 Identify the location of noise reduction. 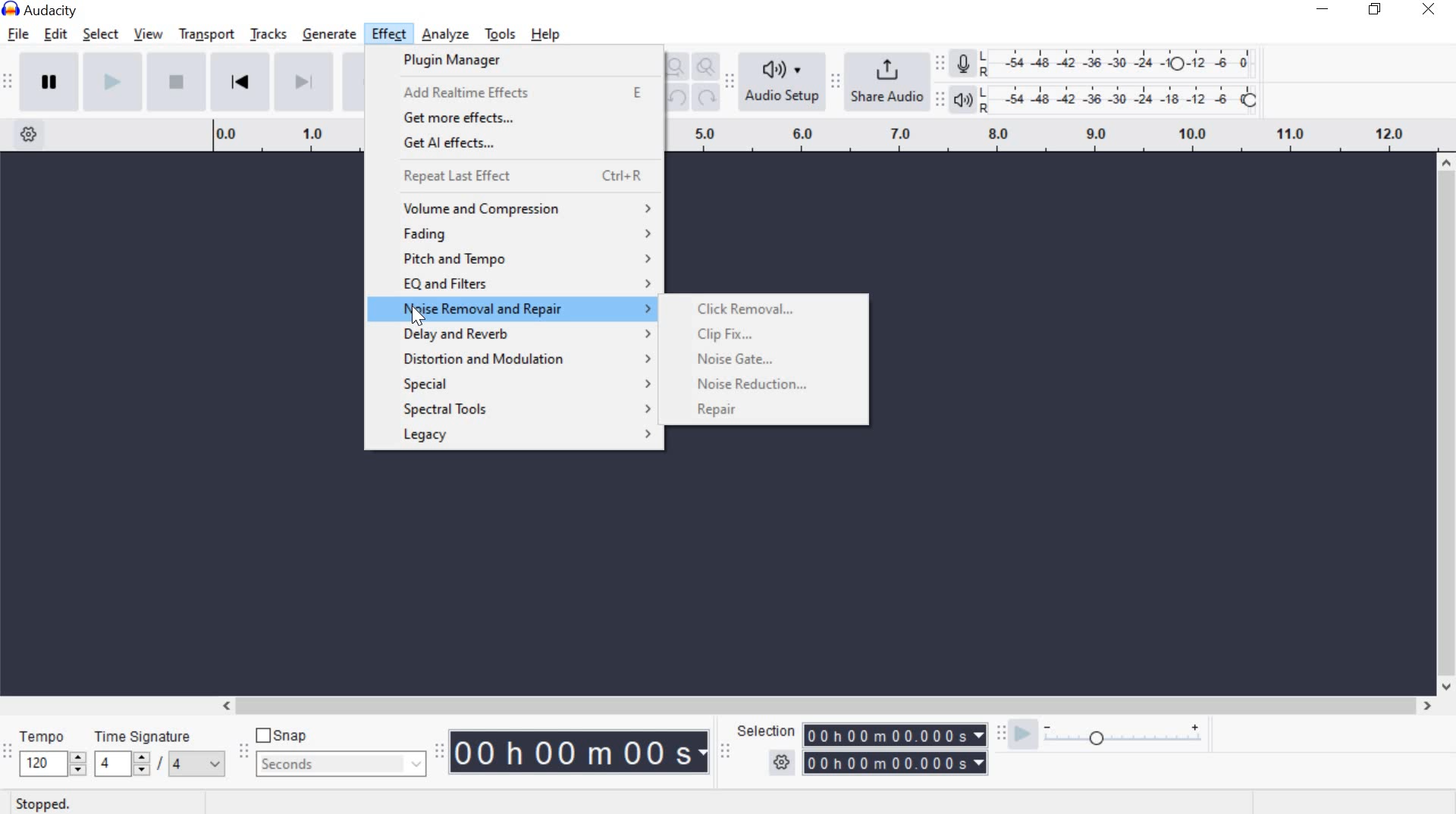
(761, 385).